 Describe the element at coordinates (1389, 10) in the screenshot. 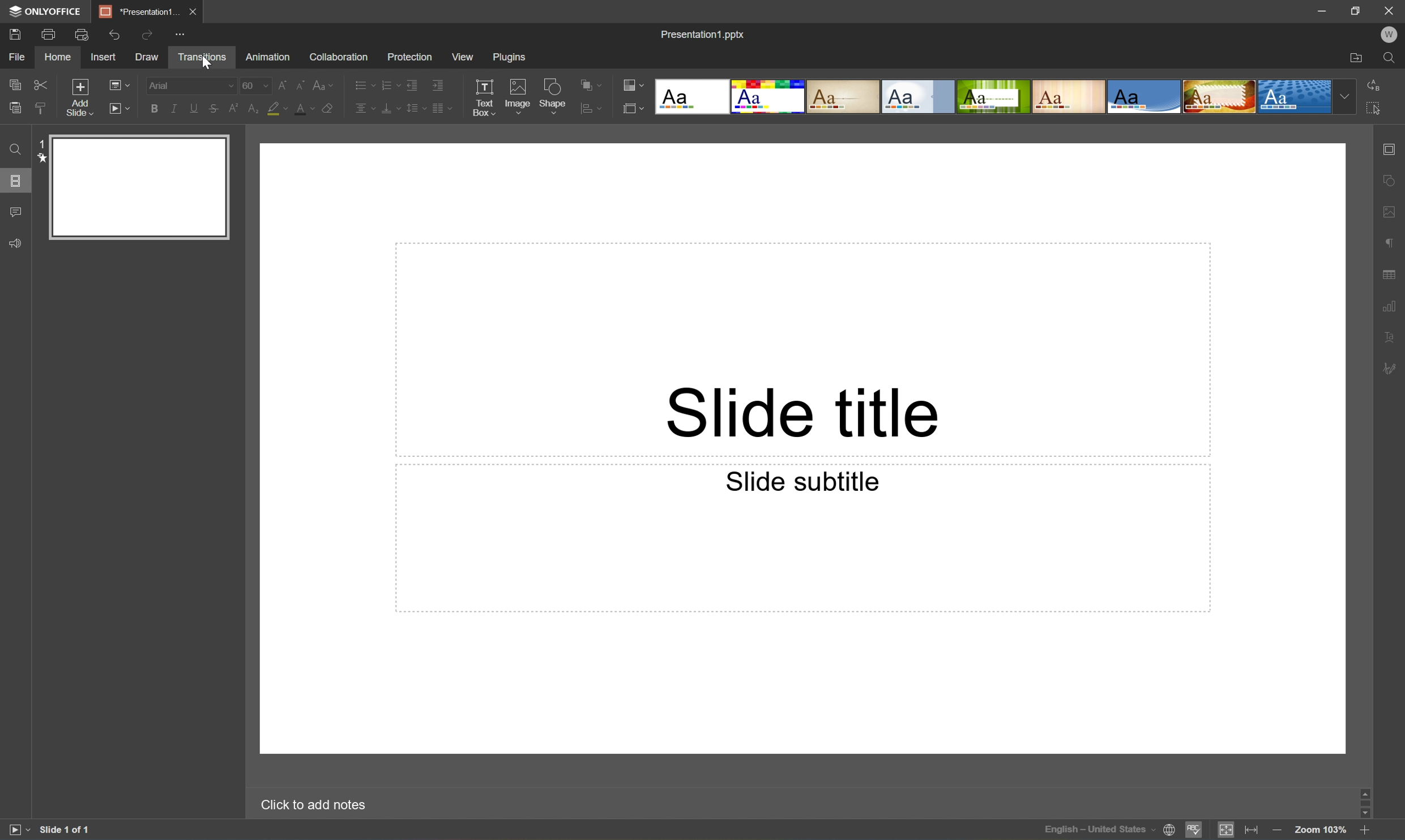

I see `Close` at that location.